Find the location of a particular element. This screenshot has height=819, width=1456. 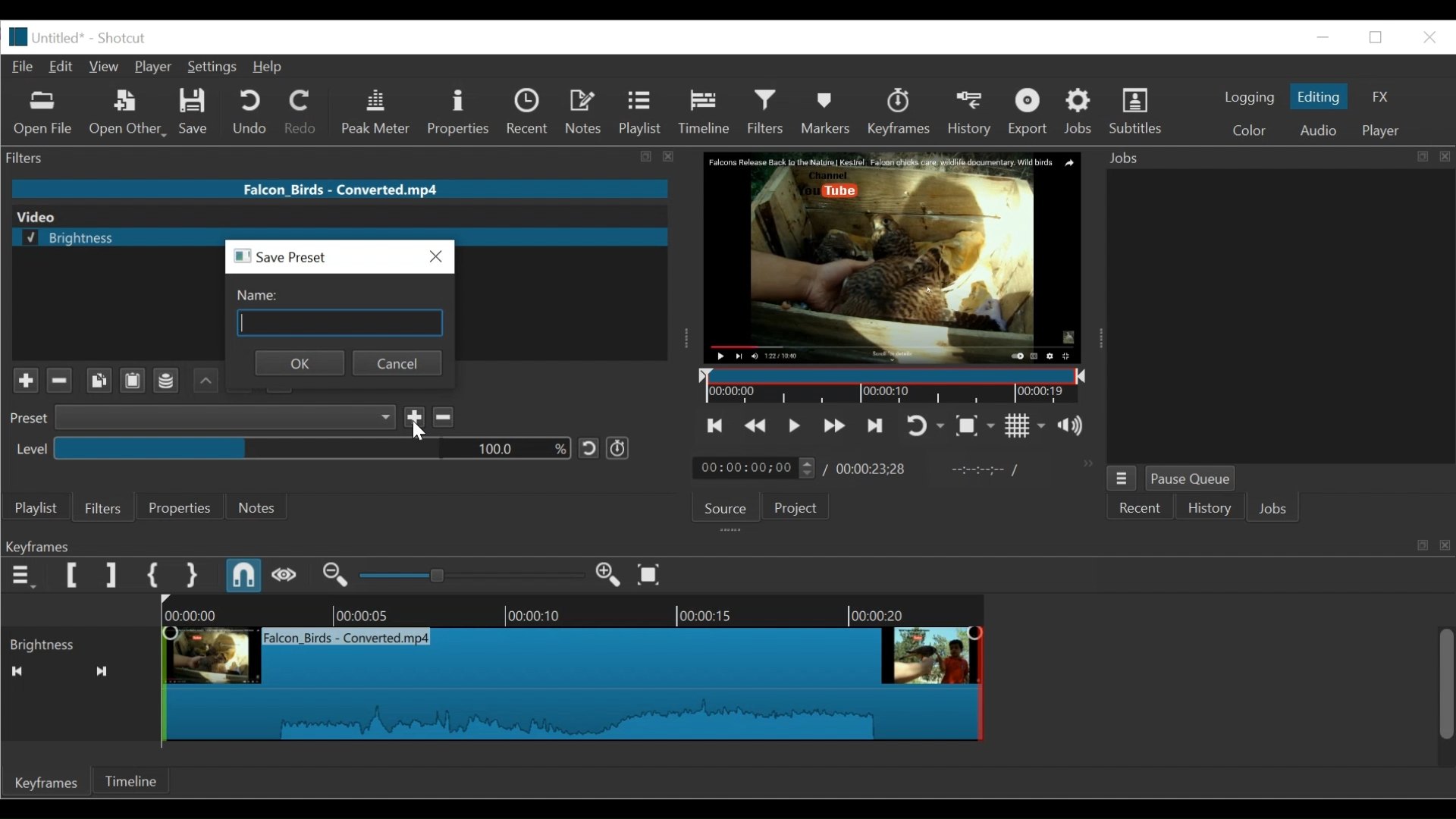

Set Filter First is located at coordinates (74, 576).